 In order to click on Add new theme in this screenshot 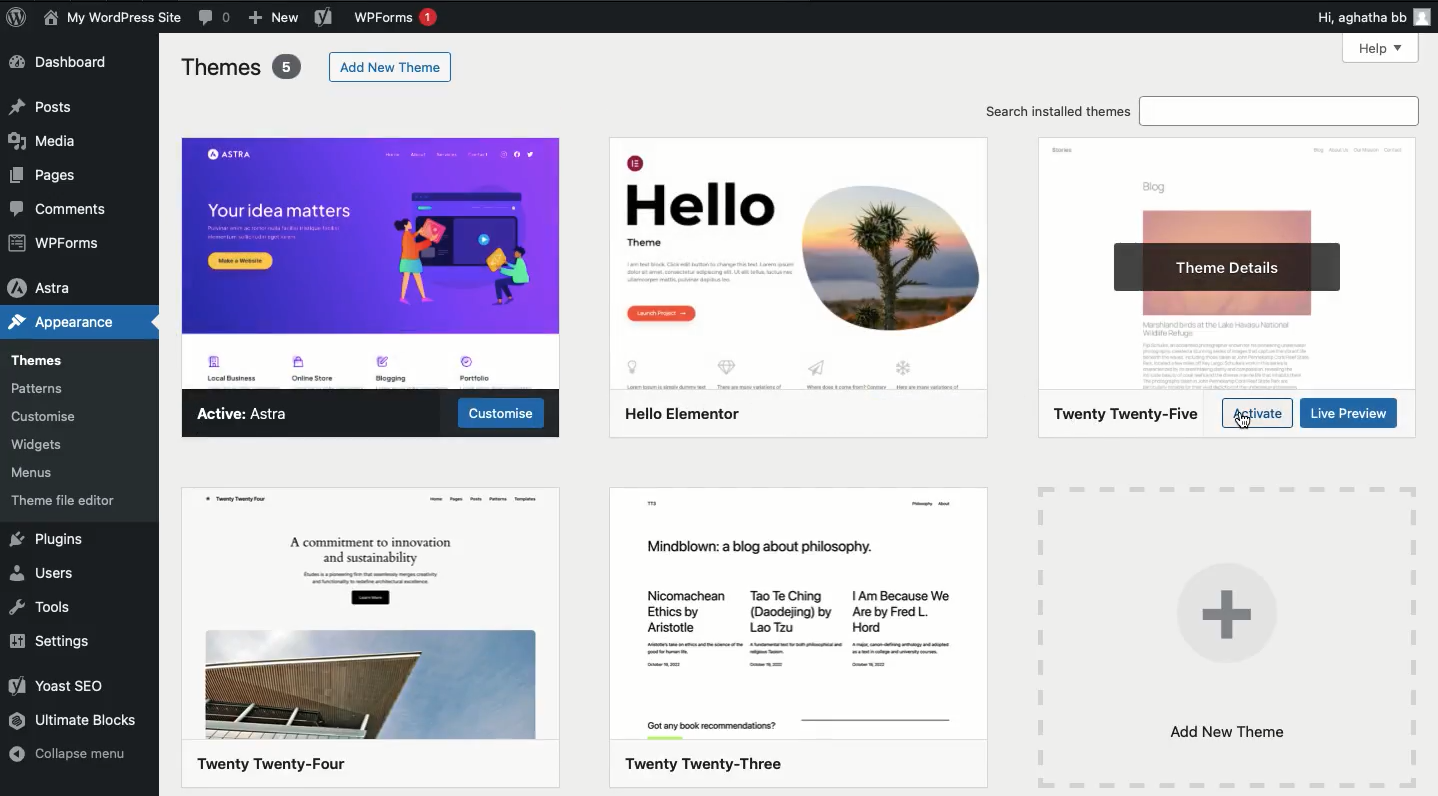, I will do `click(392, 67)`.